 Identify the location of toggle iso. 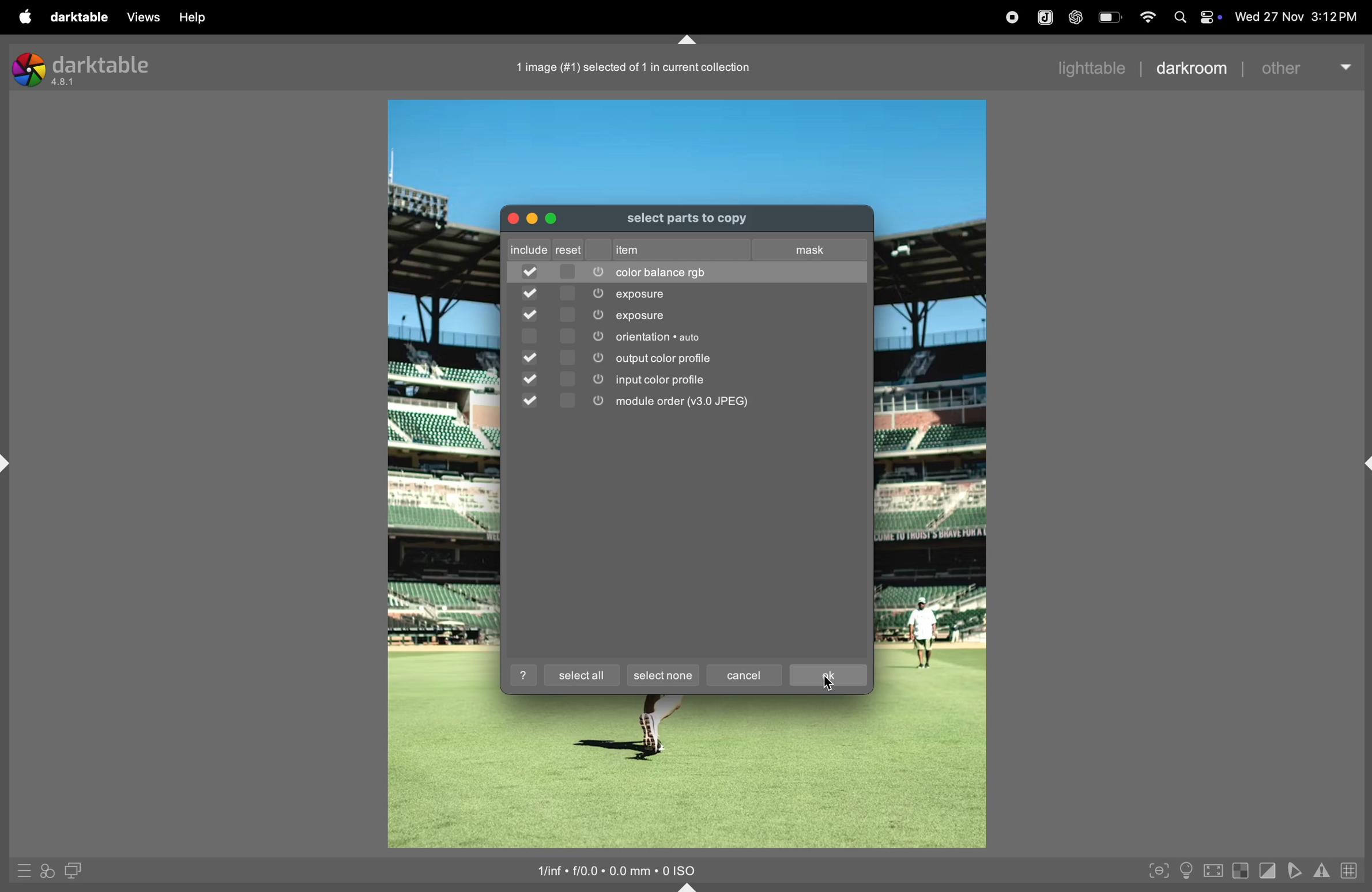
(1186, 870).